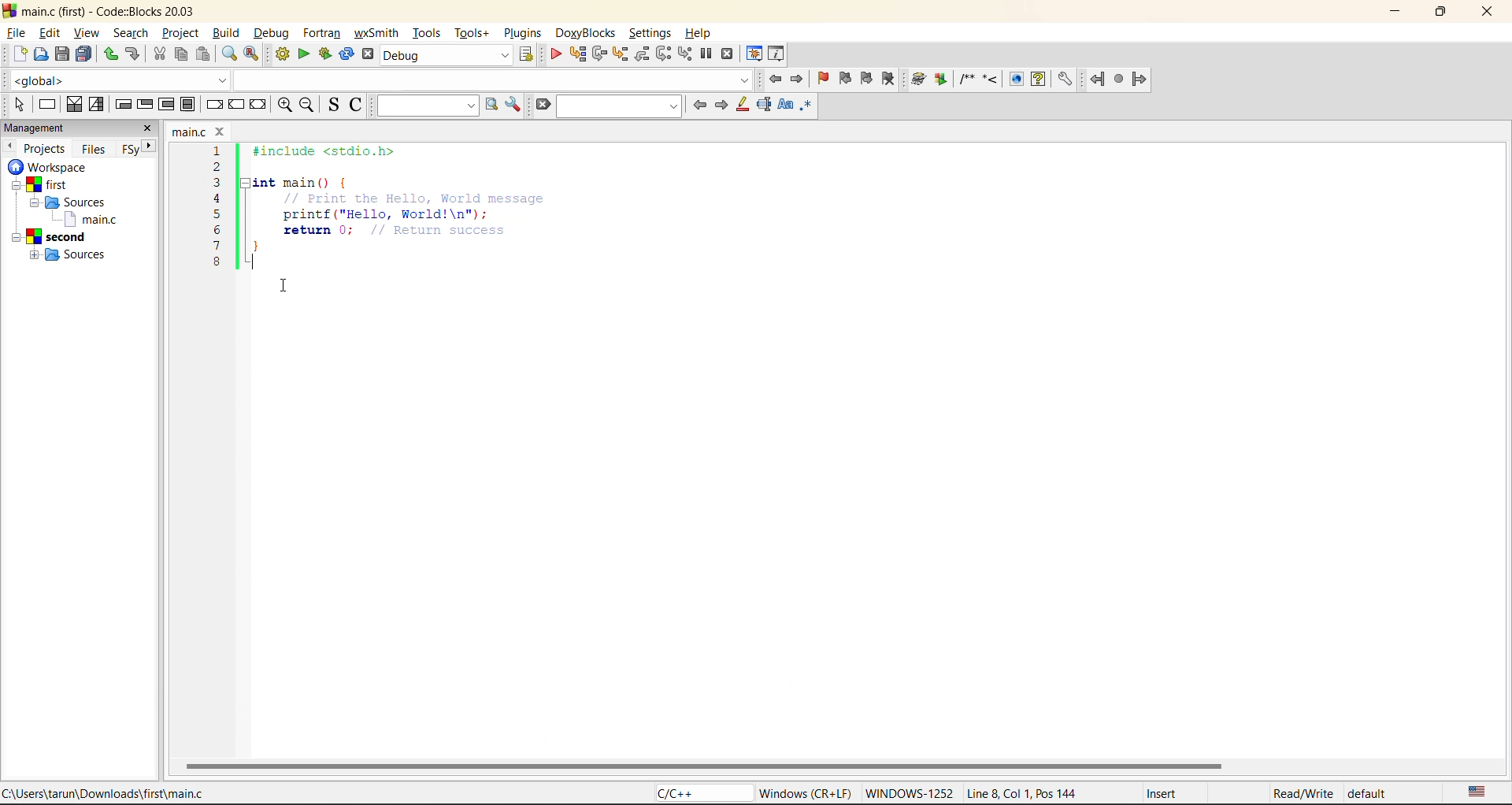 Image resolution: width=1512 pixels, height=805 pixels. Describe the element at coordinates (46, 150) in the screenshot. I see `projects` at that location.